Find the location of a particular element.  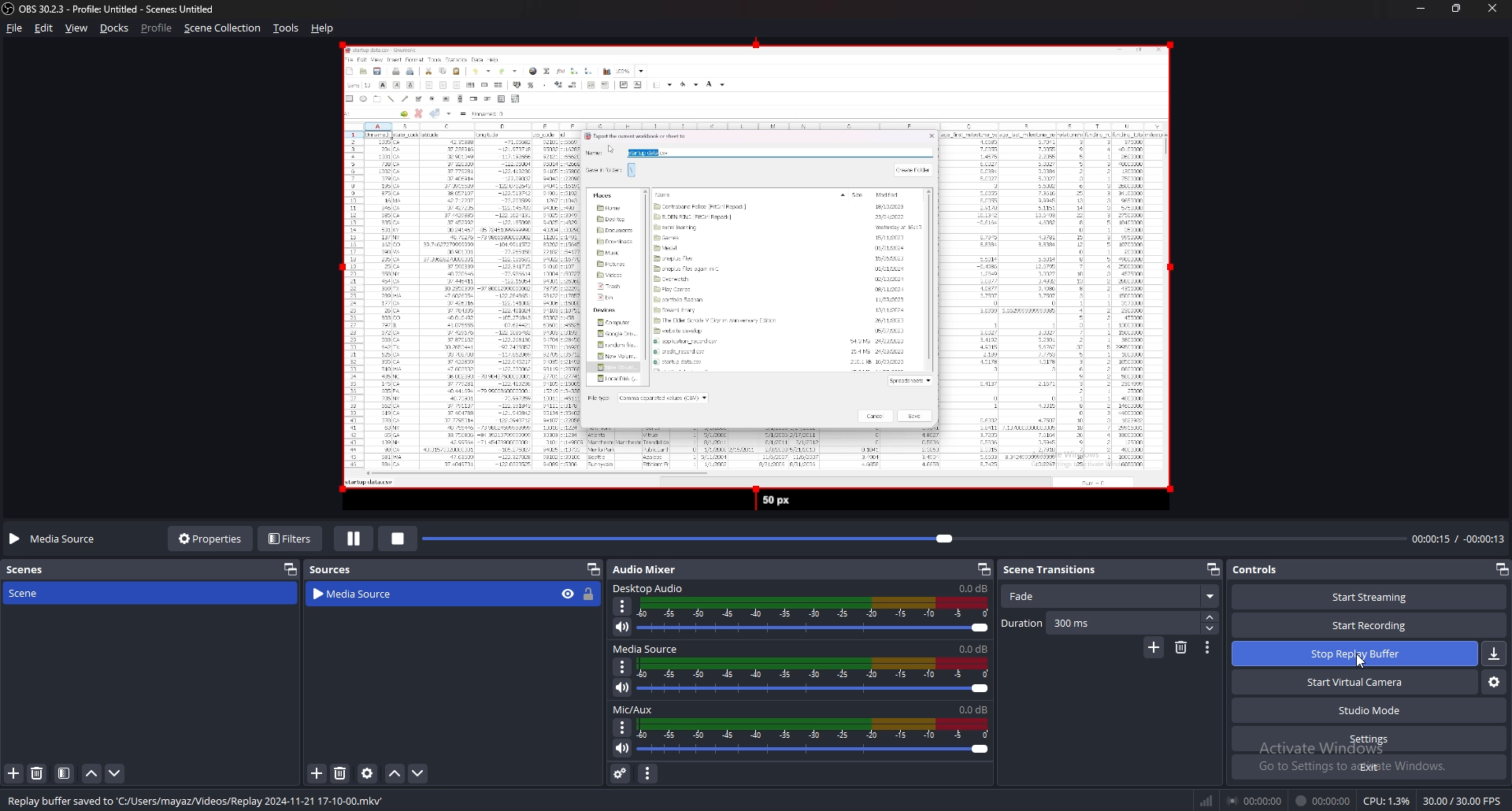

0.0db is located at coordinates (974, 710).